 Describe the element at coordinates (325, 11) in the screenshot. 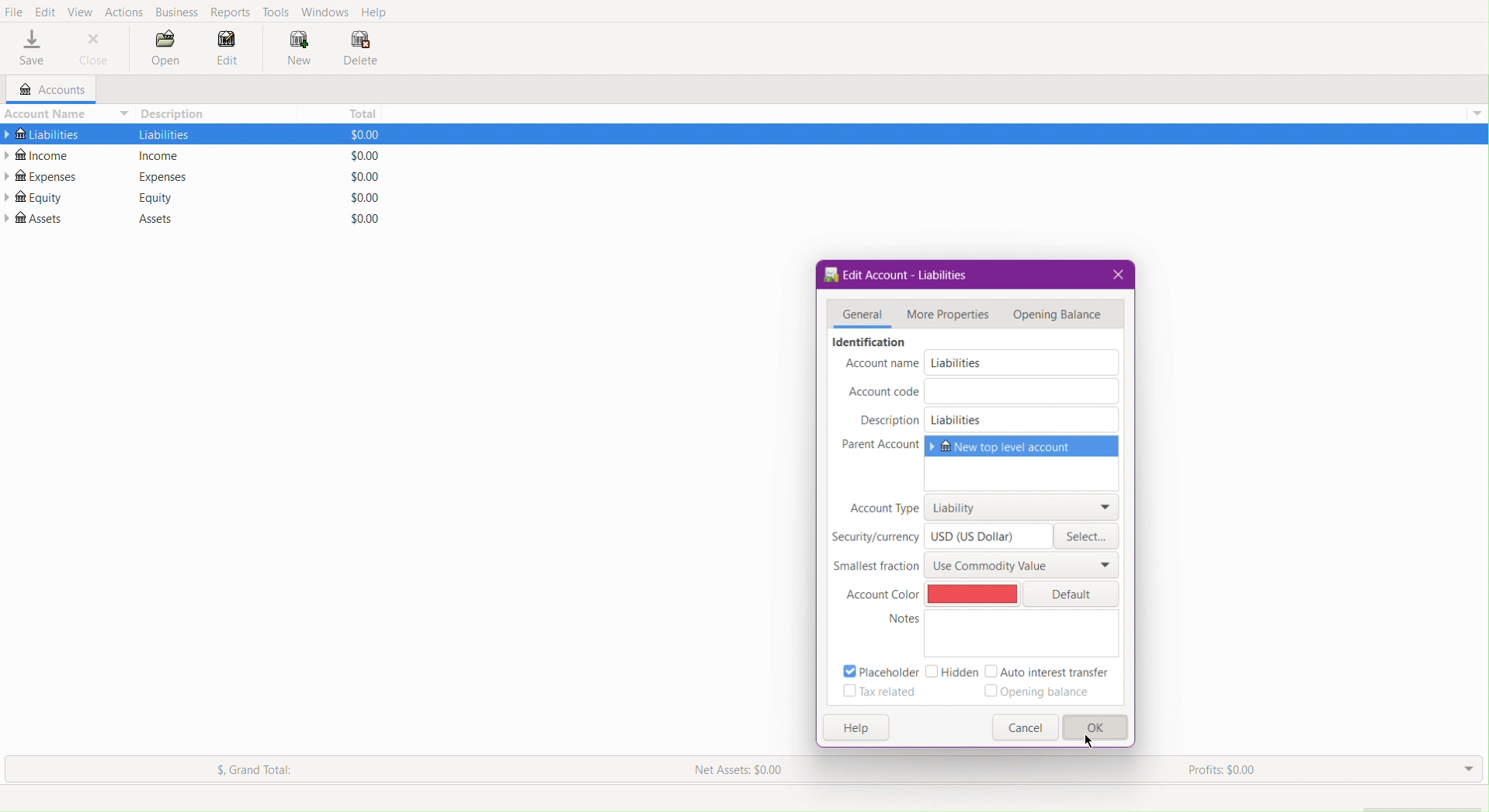

I see `Windows` at that location.